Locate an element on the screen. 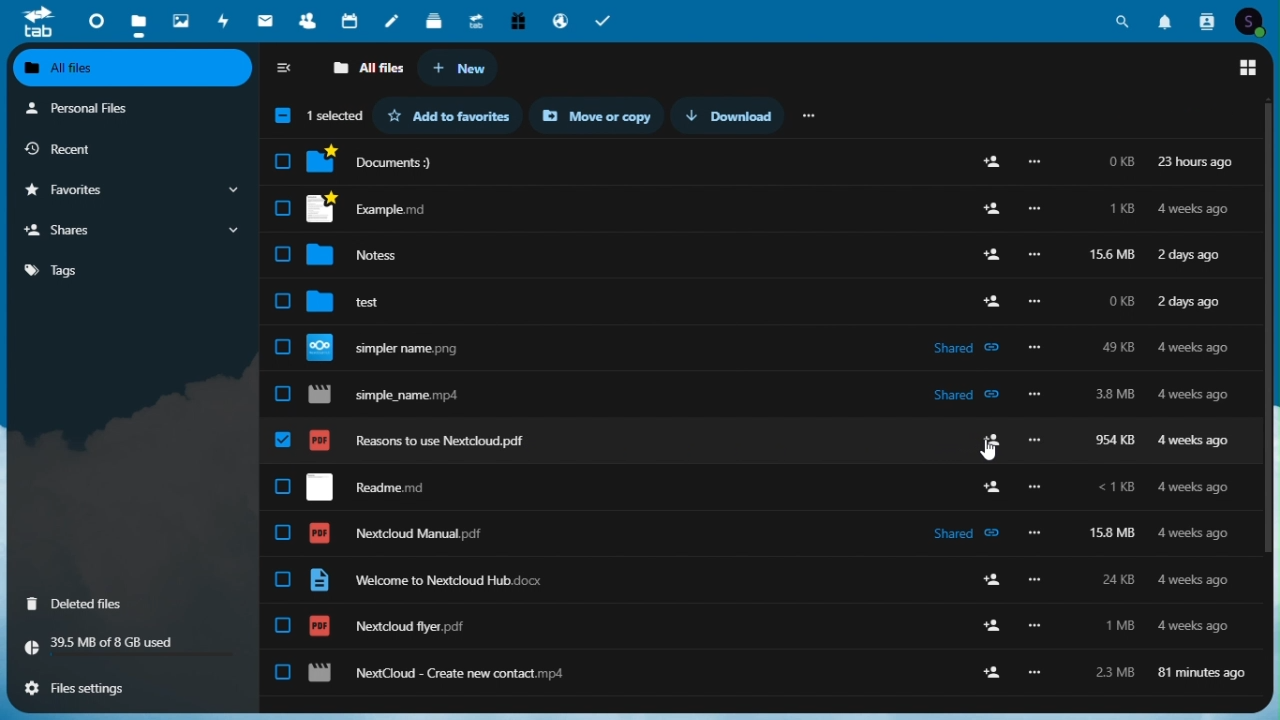 Image resolution: width=1280 pixels, height=720 pixels. checkbox is located at coordinates (284, 535).